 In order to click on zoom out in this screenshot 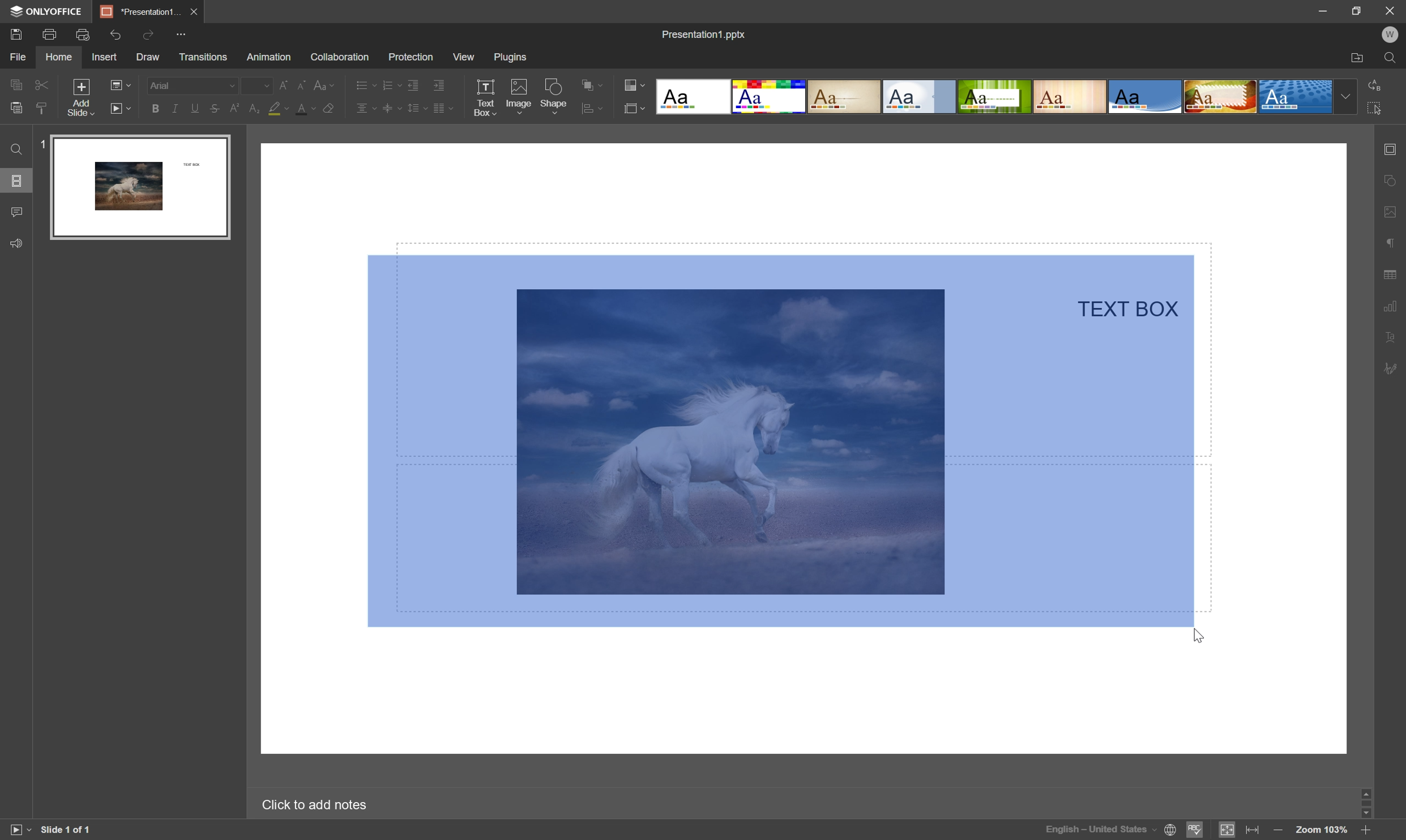, I will do `click(1275, 830)`.